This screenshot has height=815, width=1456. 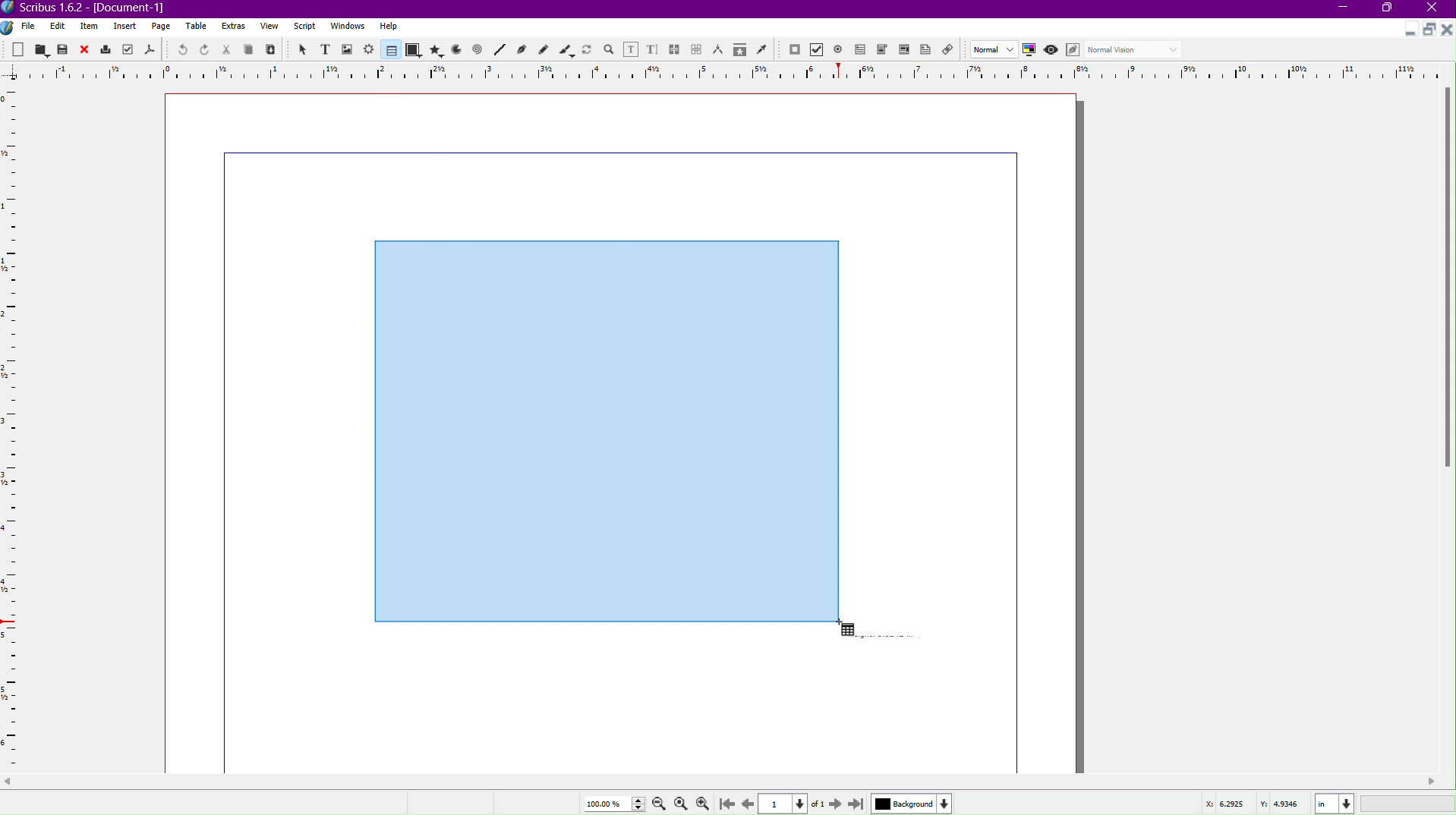 I want to click on PDF Radio Button, so click(x=841, y=49).